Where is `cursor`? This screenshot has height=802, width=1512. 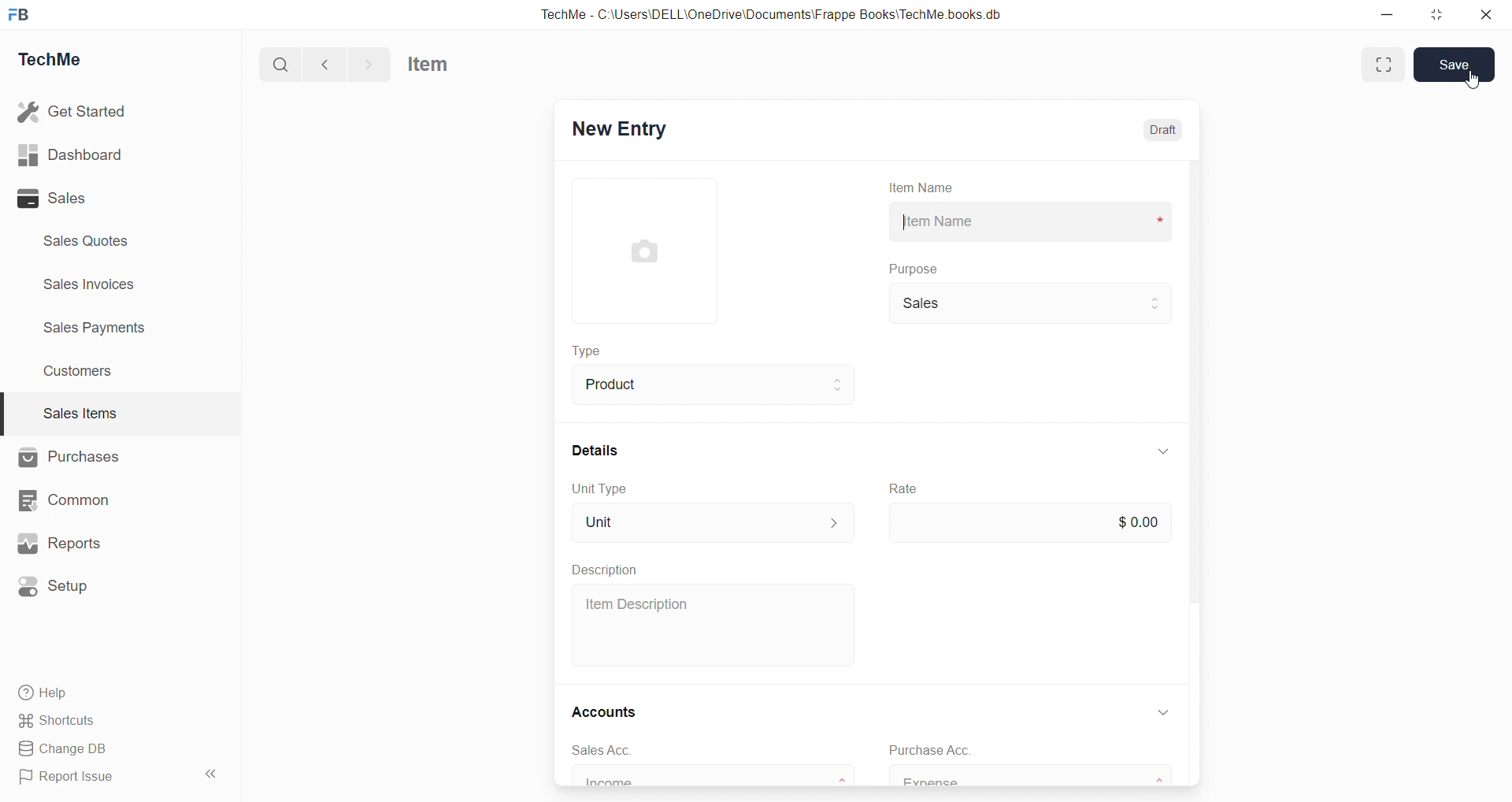 cursor is located at coordinates (1474, 80).